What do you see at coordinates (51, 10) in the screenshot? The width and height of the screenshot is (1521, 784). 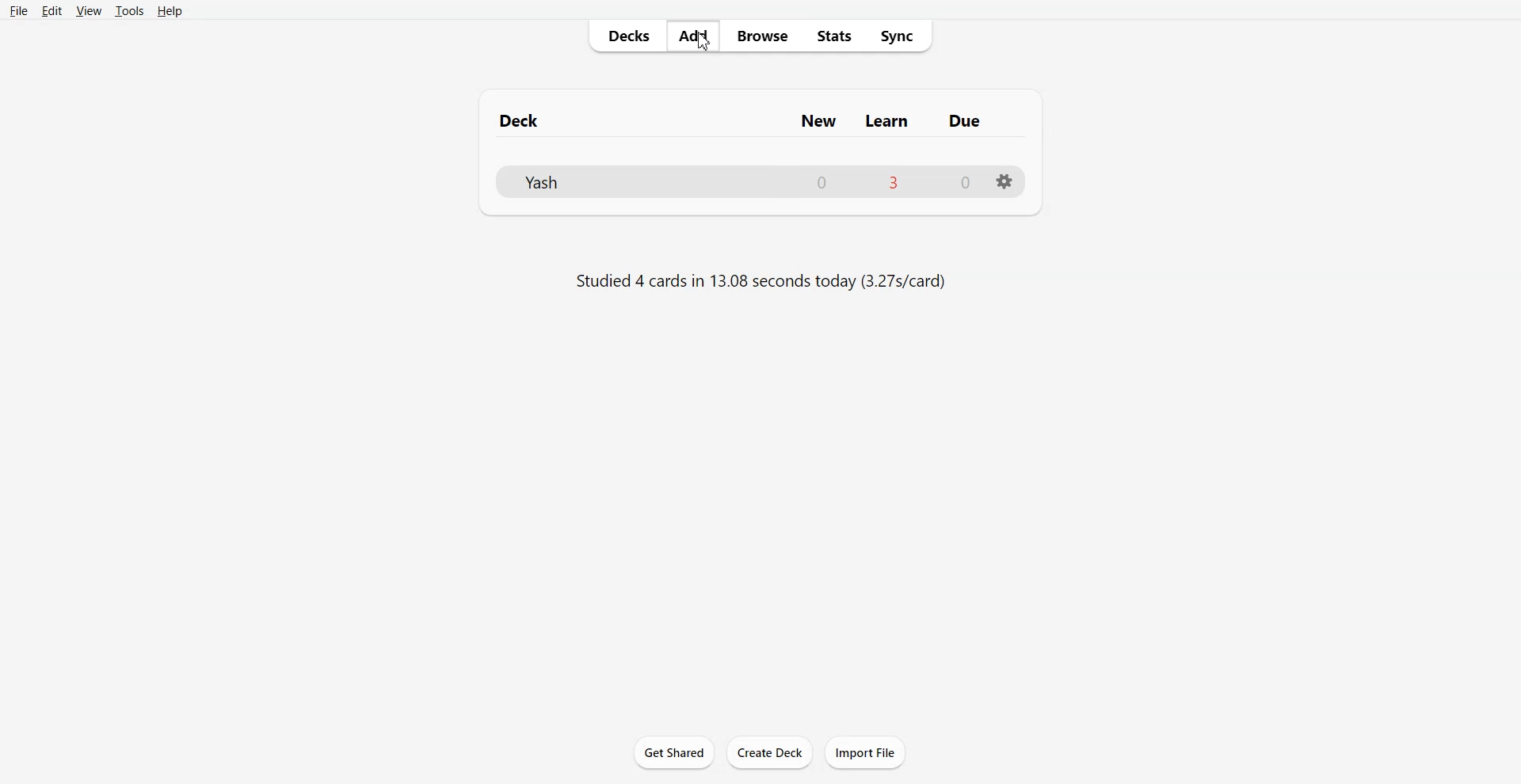 I see `Edit` at bounding box center [51, 10].